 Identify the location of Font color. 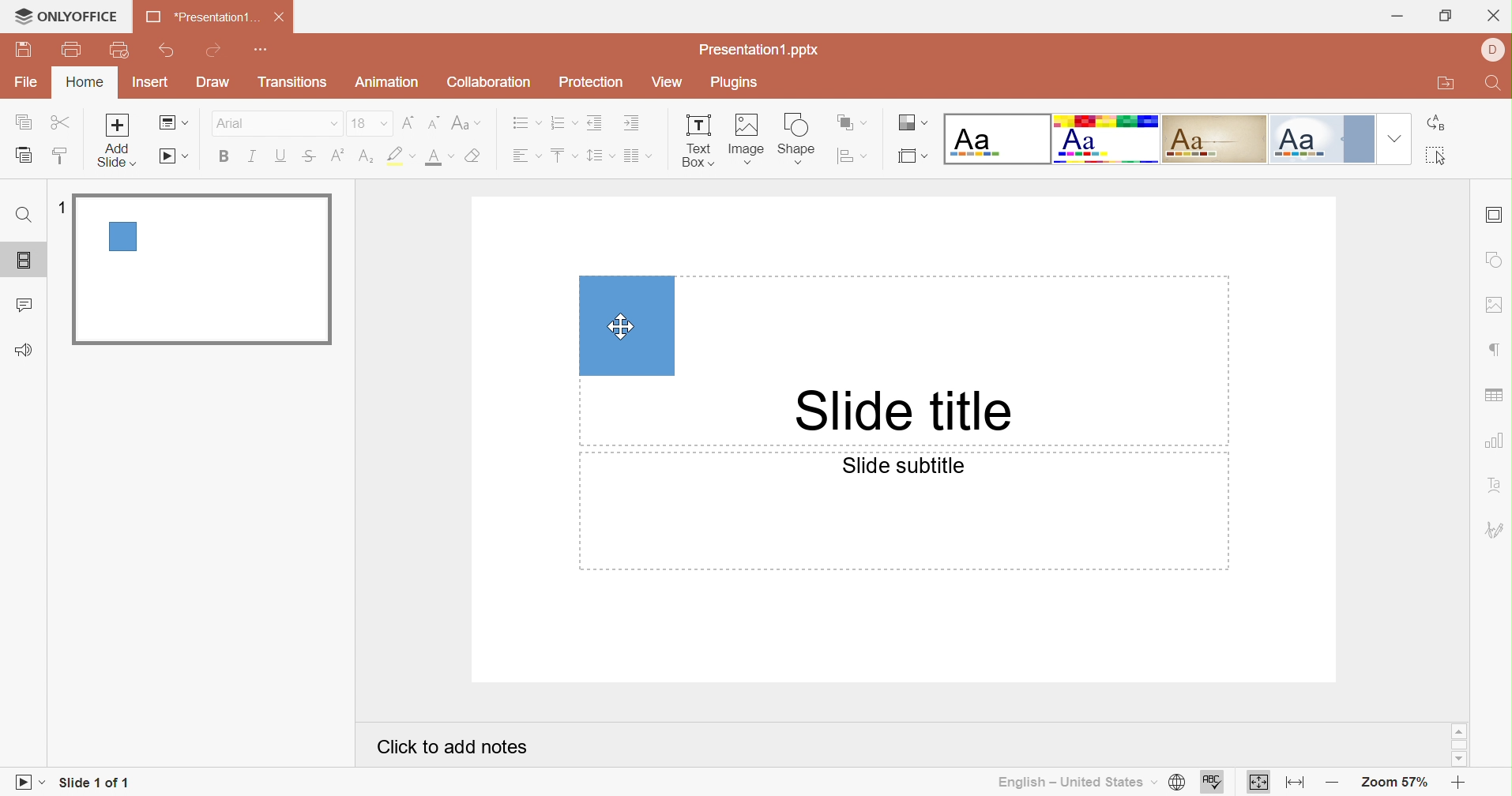
(441, 157).